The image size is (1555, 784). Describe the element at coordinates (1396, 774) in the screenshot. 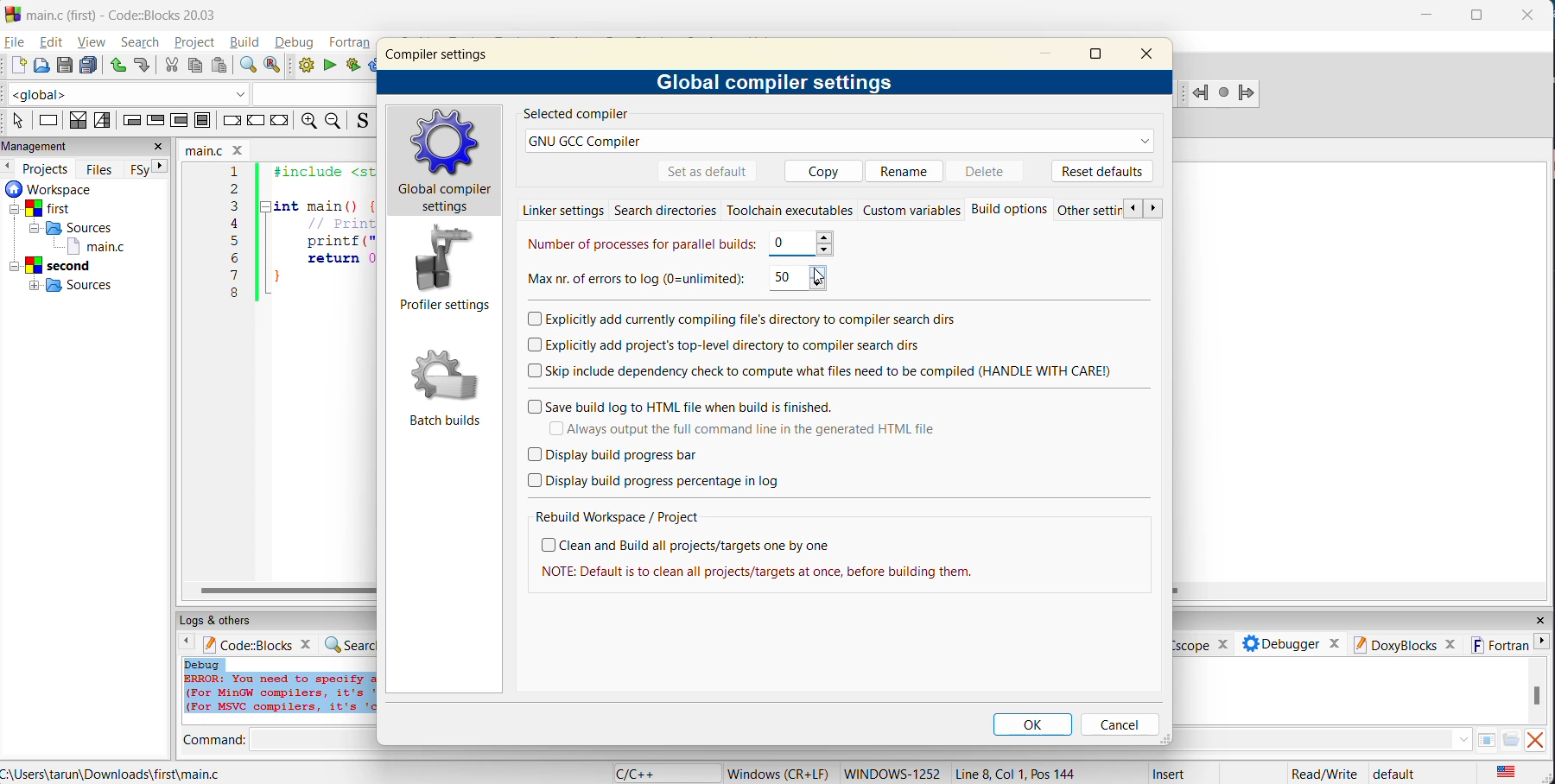

I see `default` at that location.